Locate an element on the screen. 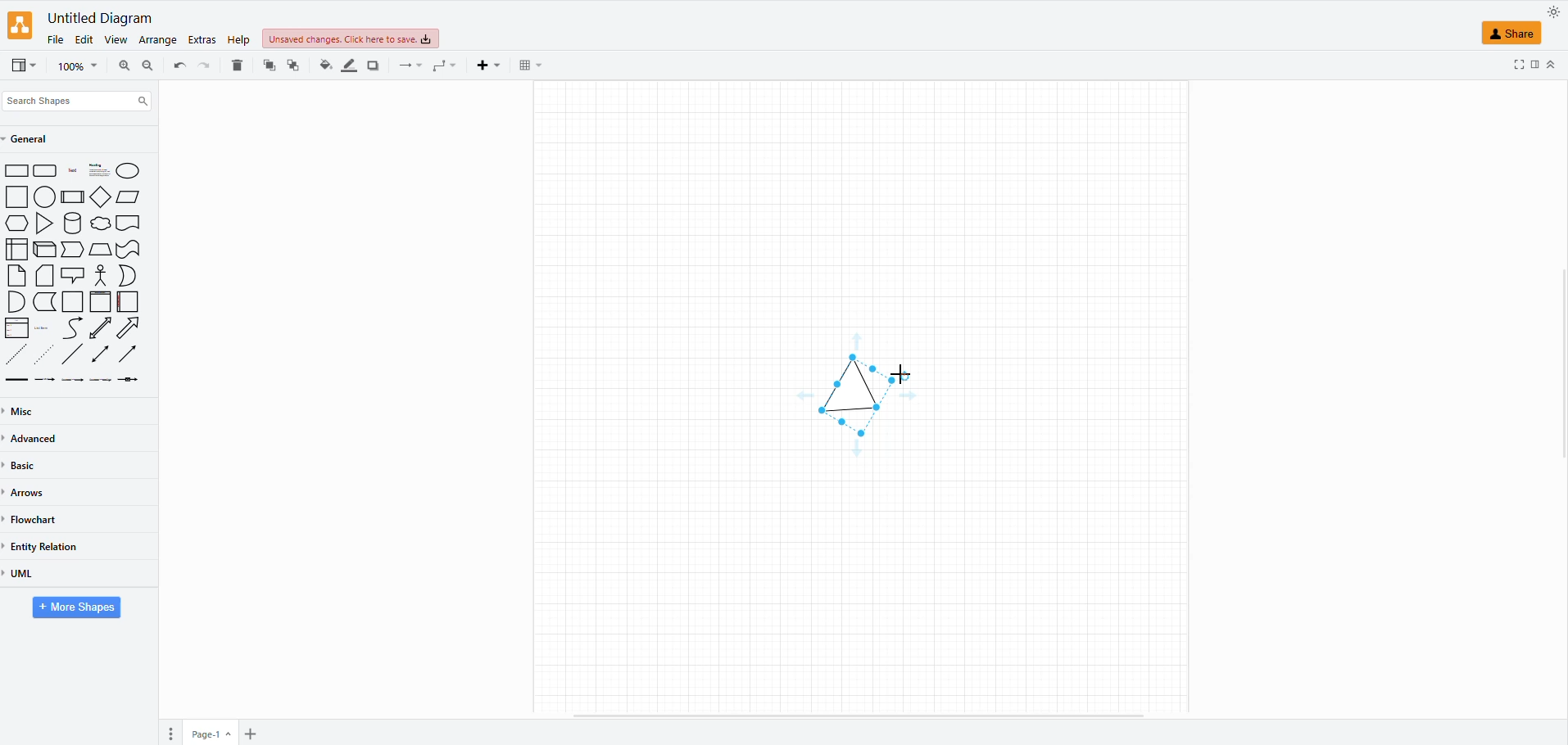  file name is located at coordinates (97, 17).